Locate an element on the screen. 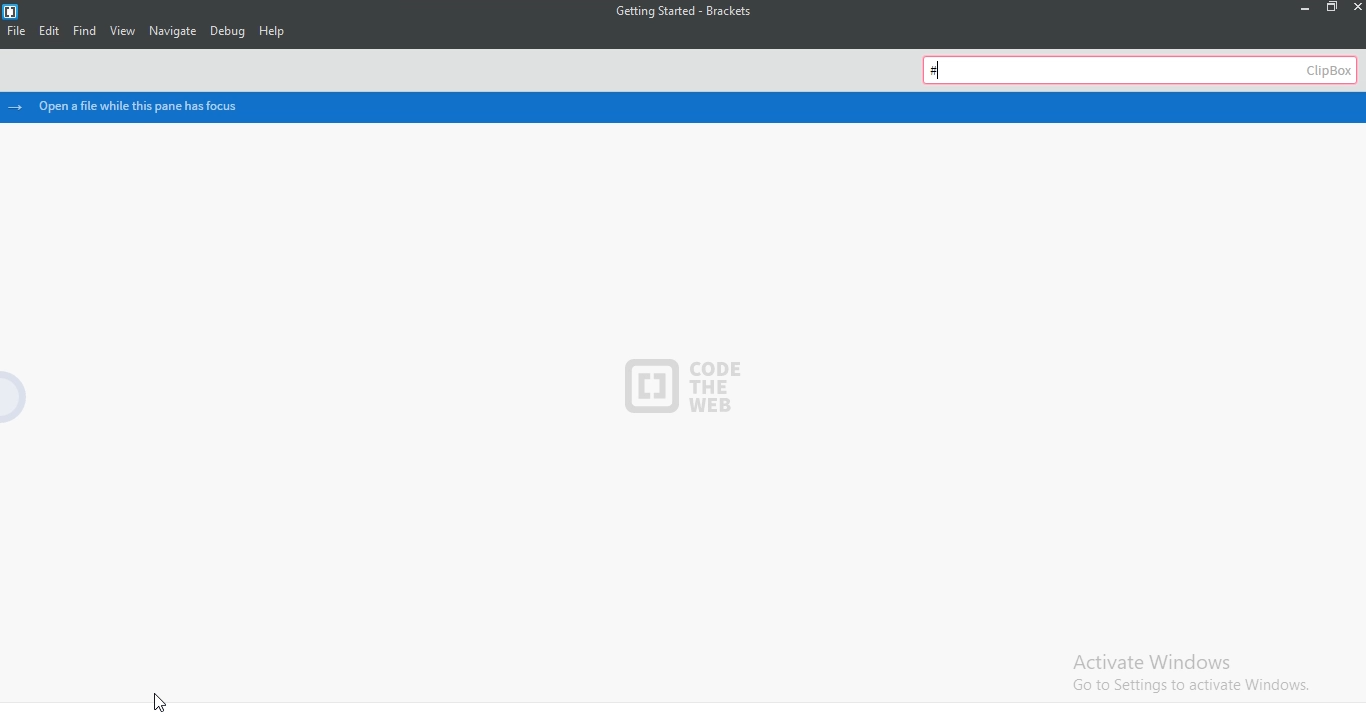 The image size is (1366, 724). code the web is located at coordinates (673, 388).